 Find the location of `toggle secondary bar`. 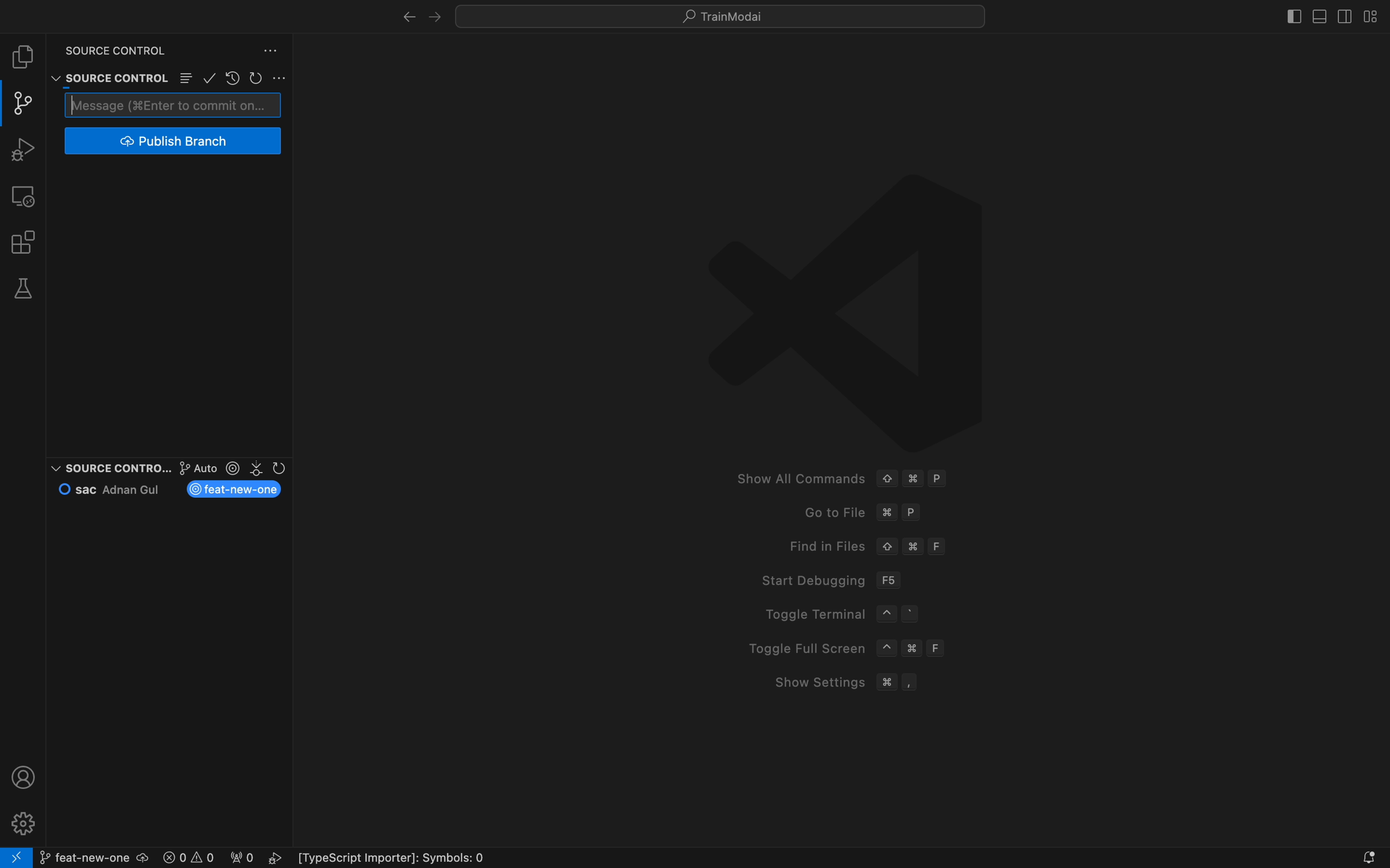

toggle secondary bar is located at coordinates (1343, 15).